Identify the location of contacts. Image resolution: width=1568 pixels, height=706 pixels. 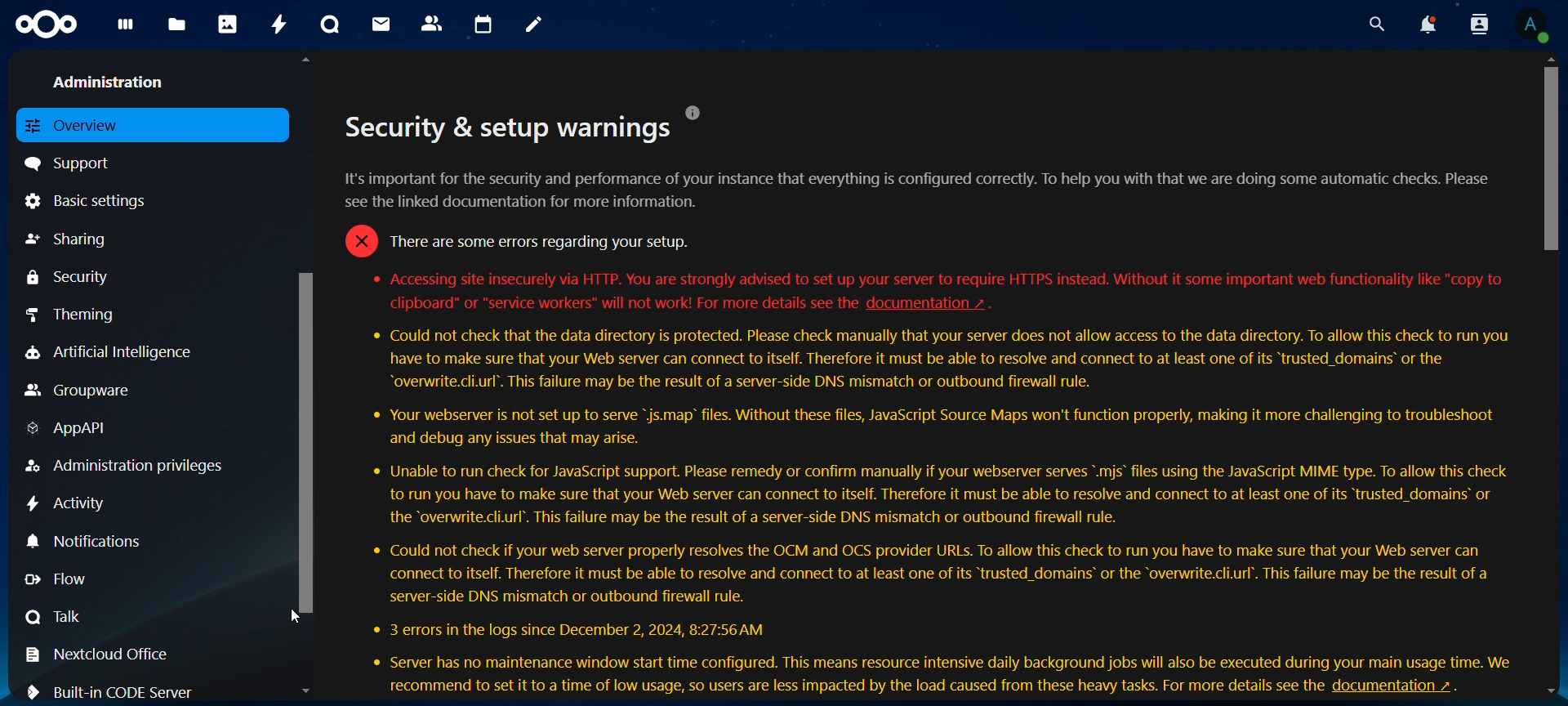
(433, 25).